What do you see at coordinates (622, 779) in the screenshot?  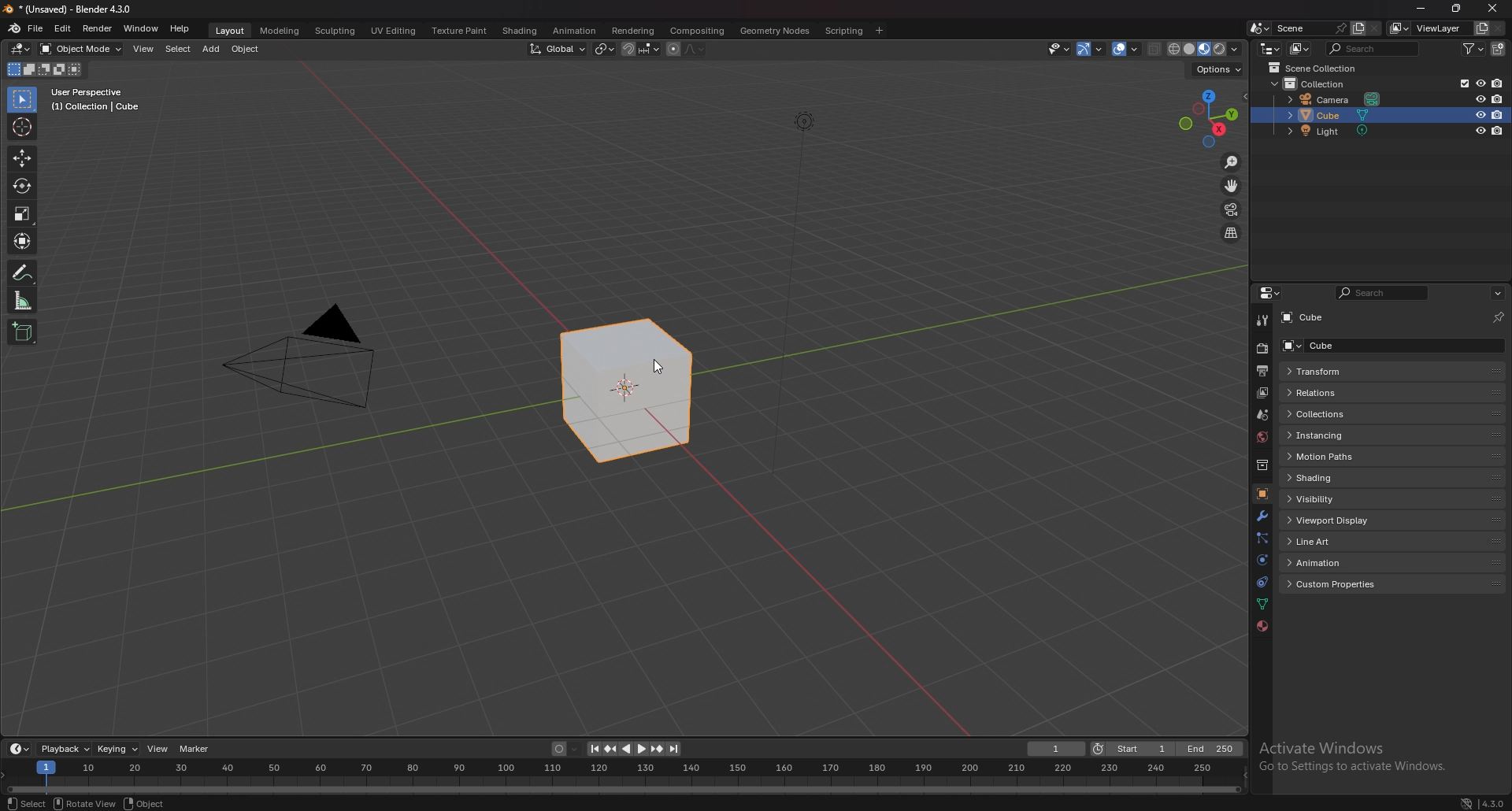 I see `seek` at bounding box center [622, 779].